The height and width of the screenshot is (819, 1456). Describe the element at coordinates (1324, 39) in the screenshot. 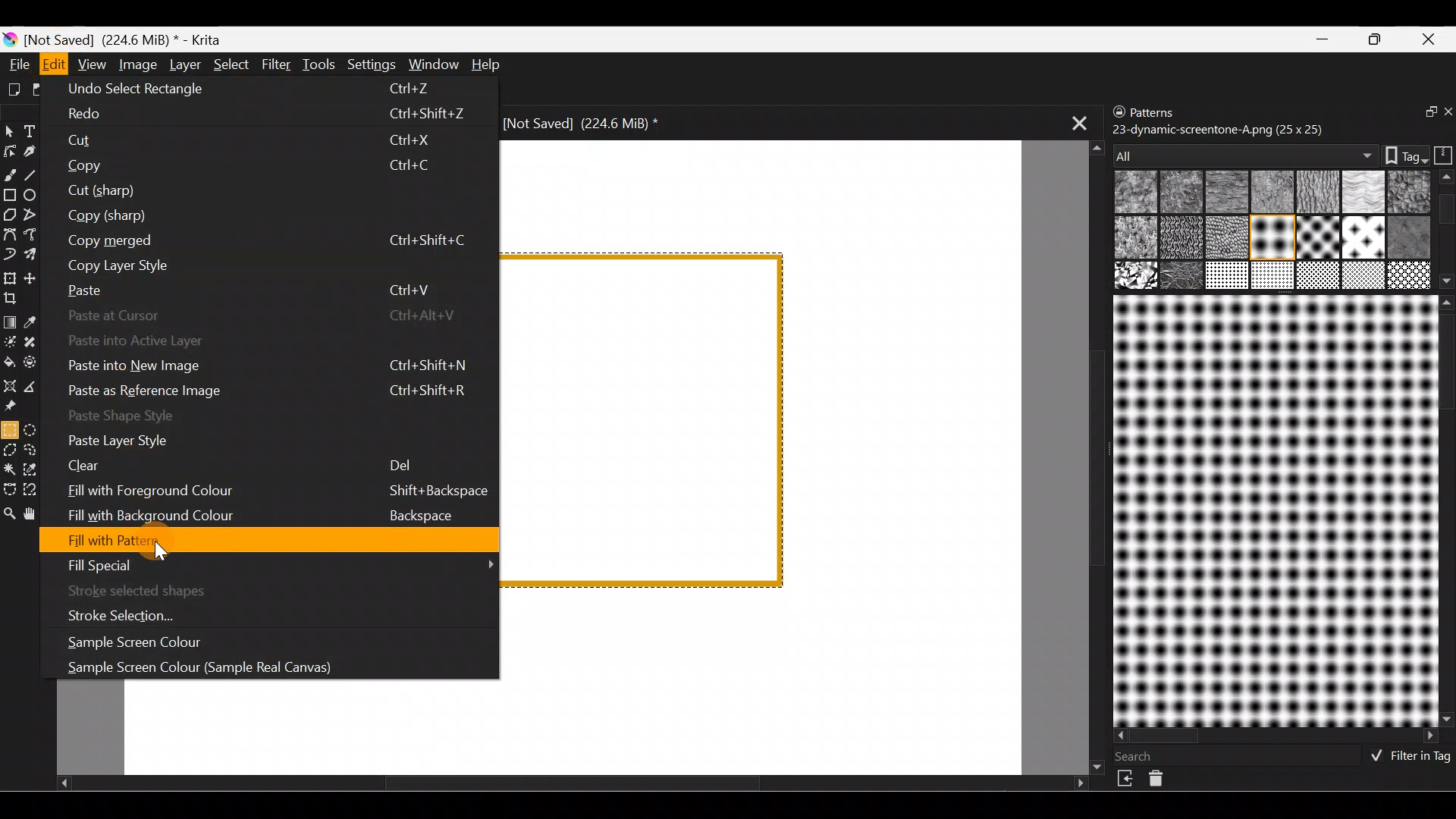

I see `Minimize` at that location.